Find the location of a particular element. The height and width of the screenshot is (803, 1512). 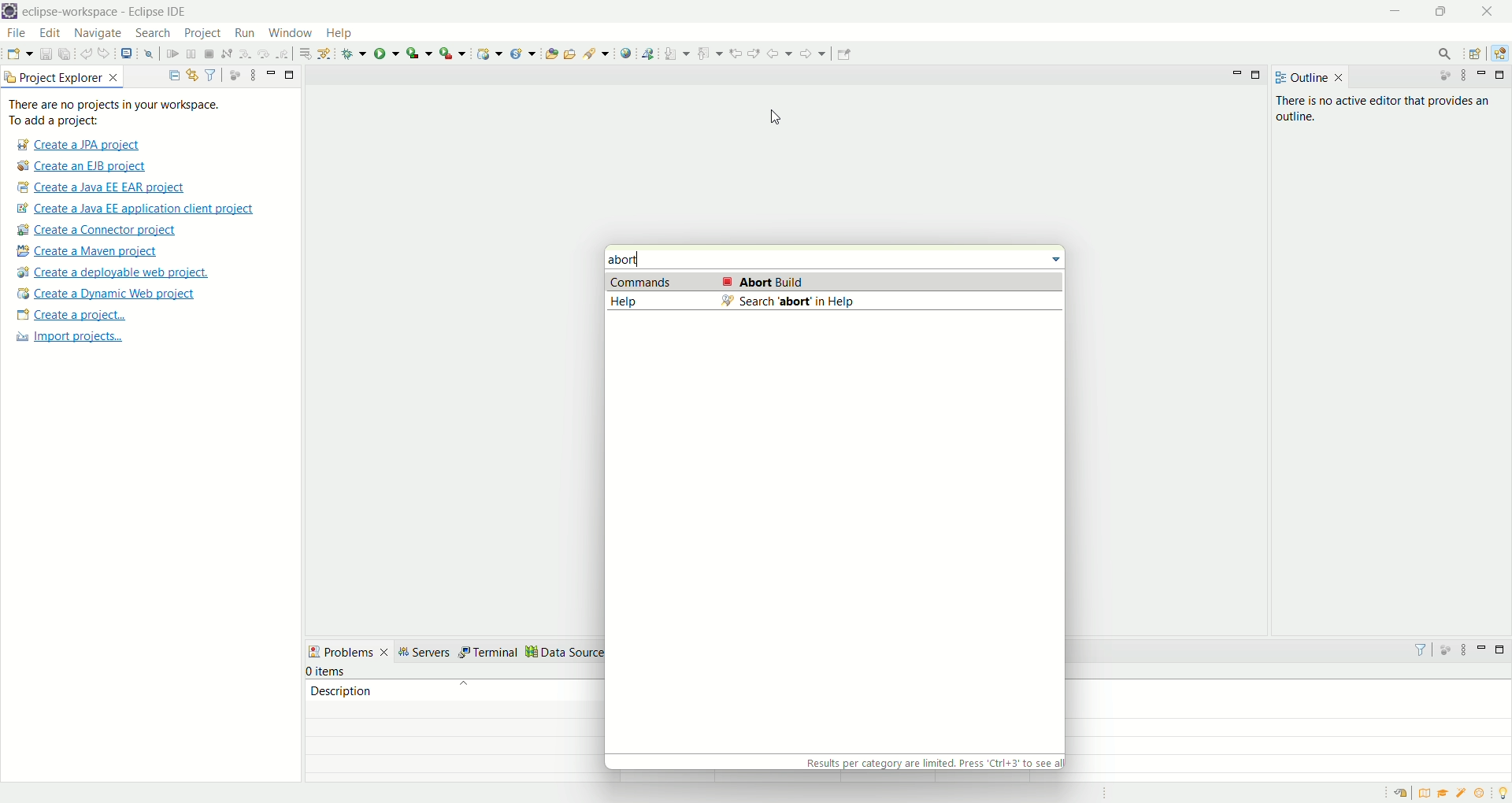

open perspective is located at coordinates (1476, 53).